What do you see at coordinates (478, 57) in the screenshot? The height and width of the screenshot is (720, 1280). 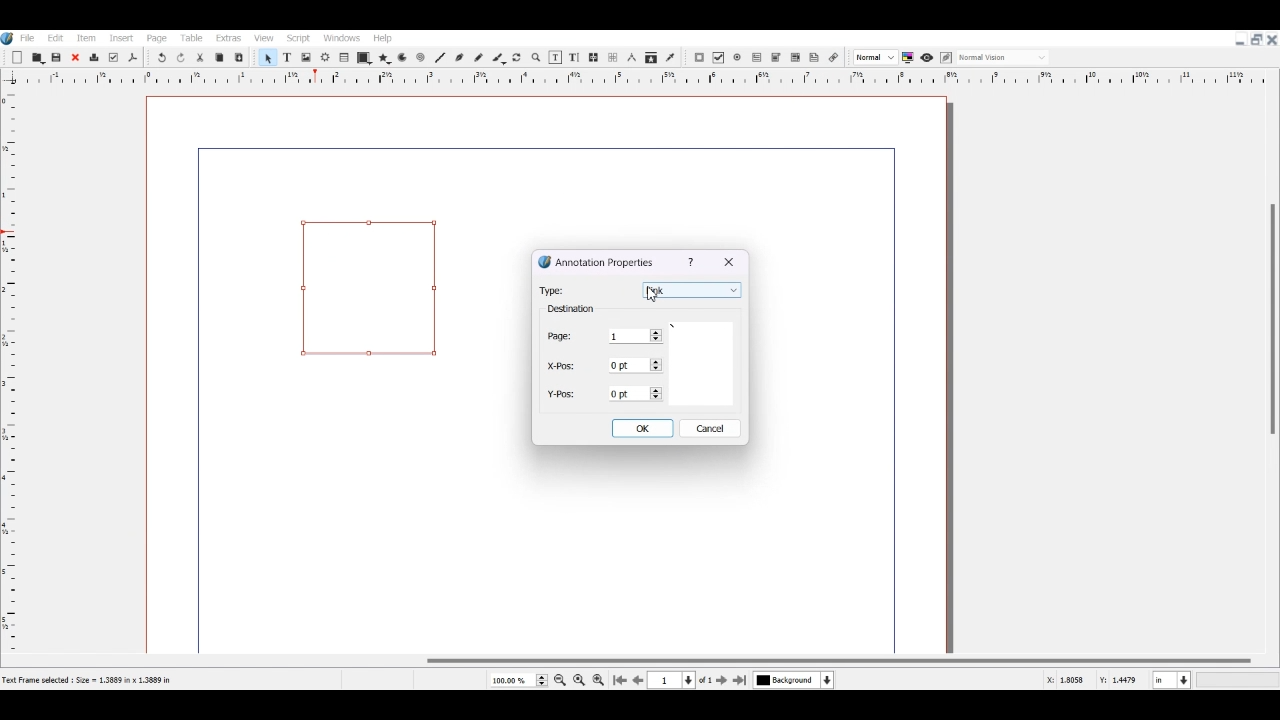 I see `Freehand line` at bounding box center [478, 57].